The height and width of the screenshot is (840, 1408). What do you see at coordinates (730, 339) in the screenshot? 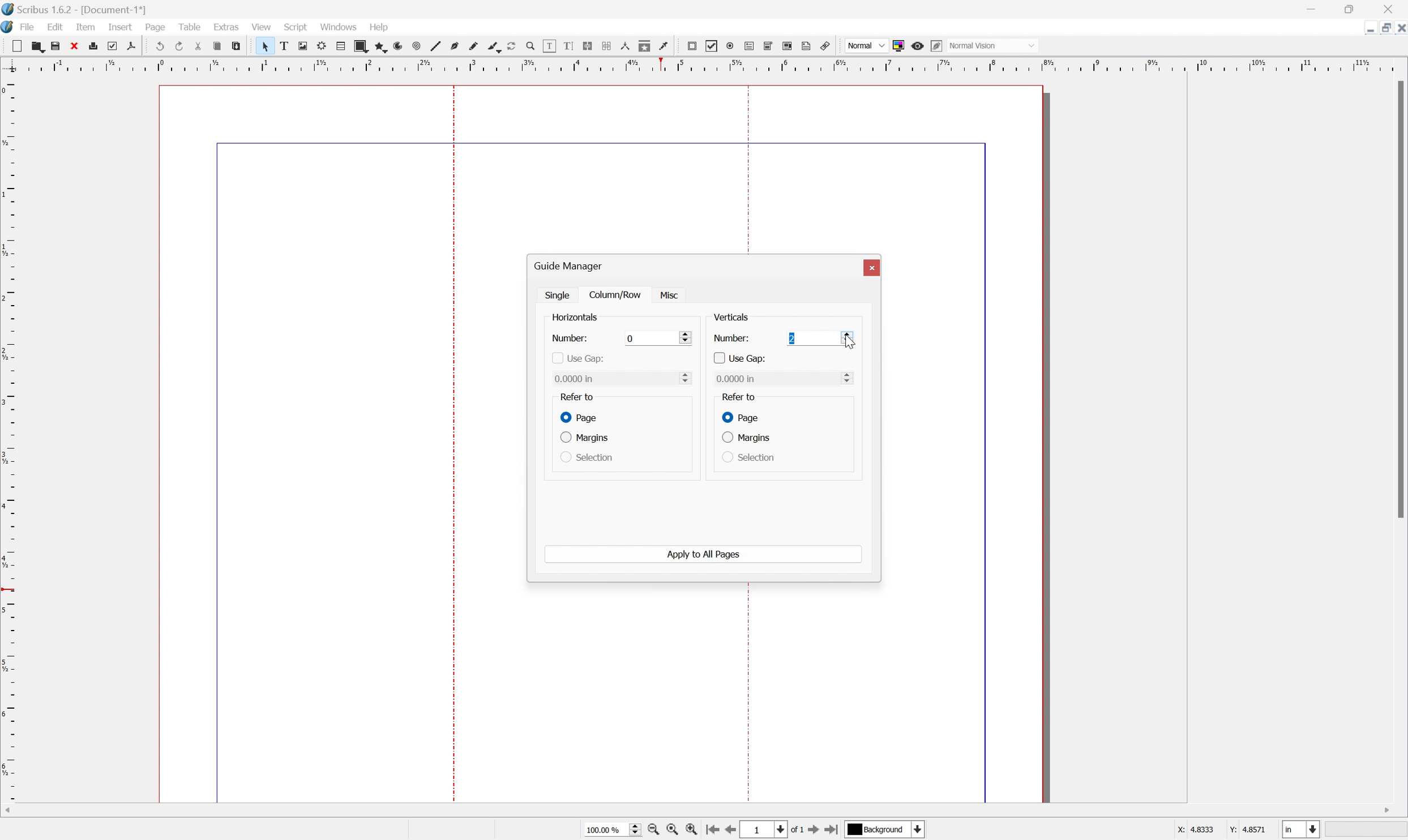
I see `number` at bounding box center [730, 339].